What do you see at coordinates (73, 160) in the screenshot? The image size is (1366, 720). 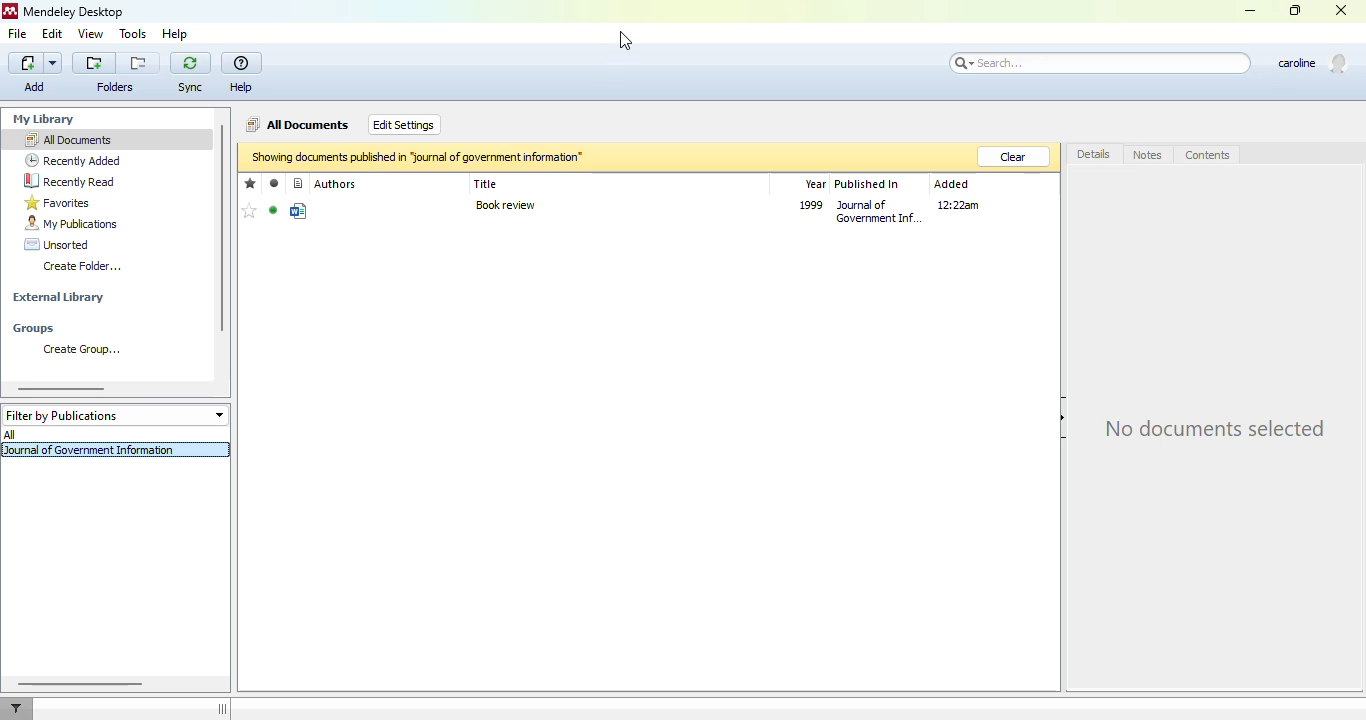 I see `recently added` at bounding box center [73, 160].